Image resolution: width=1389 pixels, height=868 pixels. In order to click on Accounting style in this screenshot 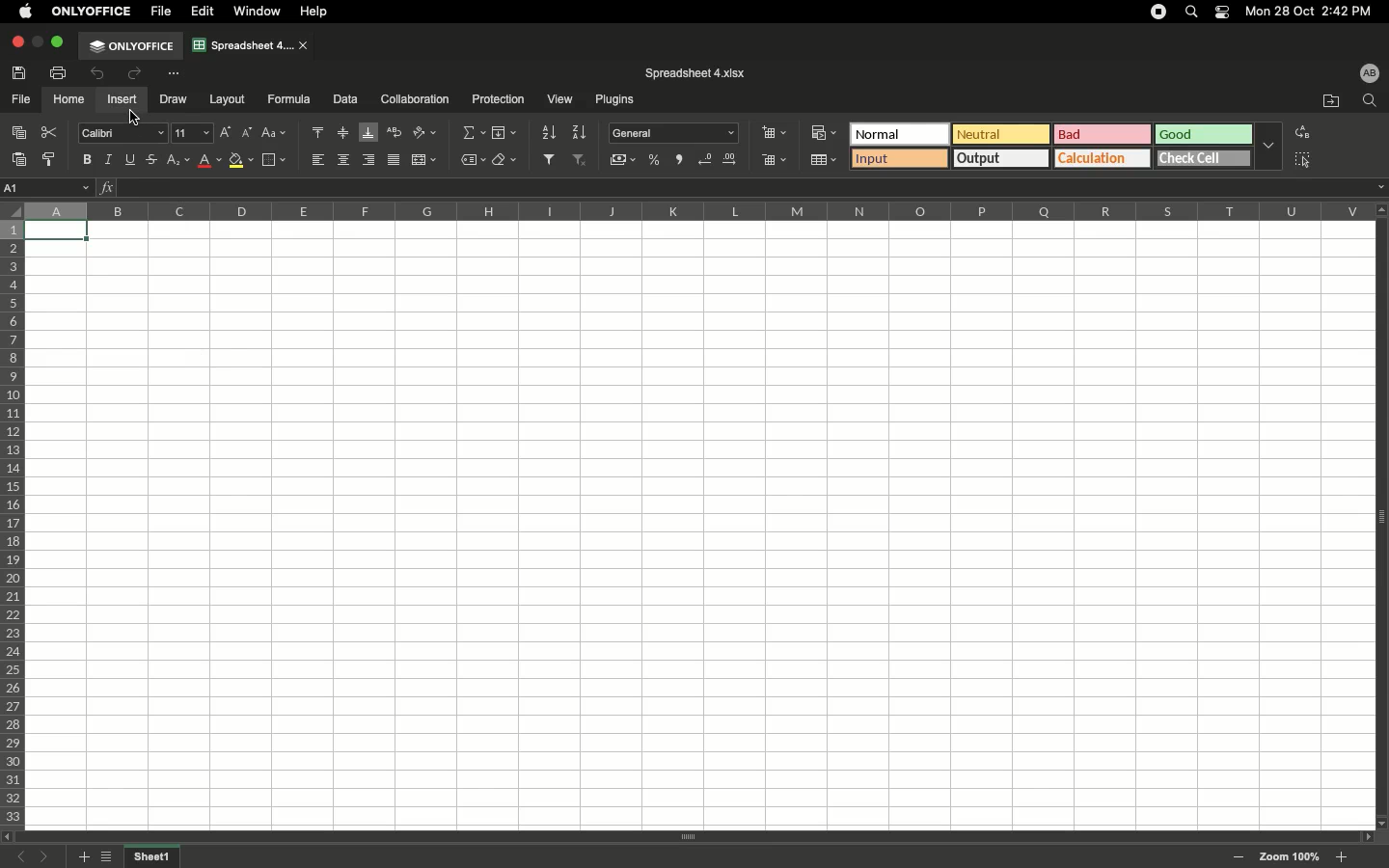, I will do `click(624, 162)`.